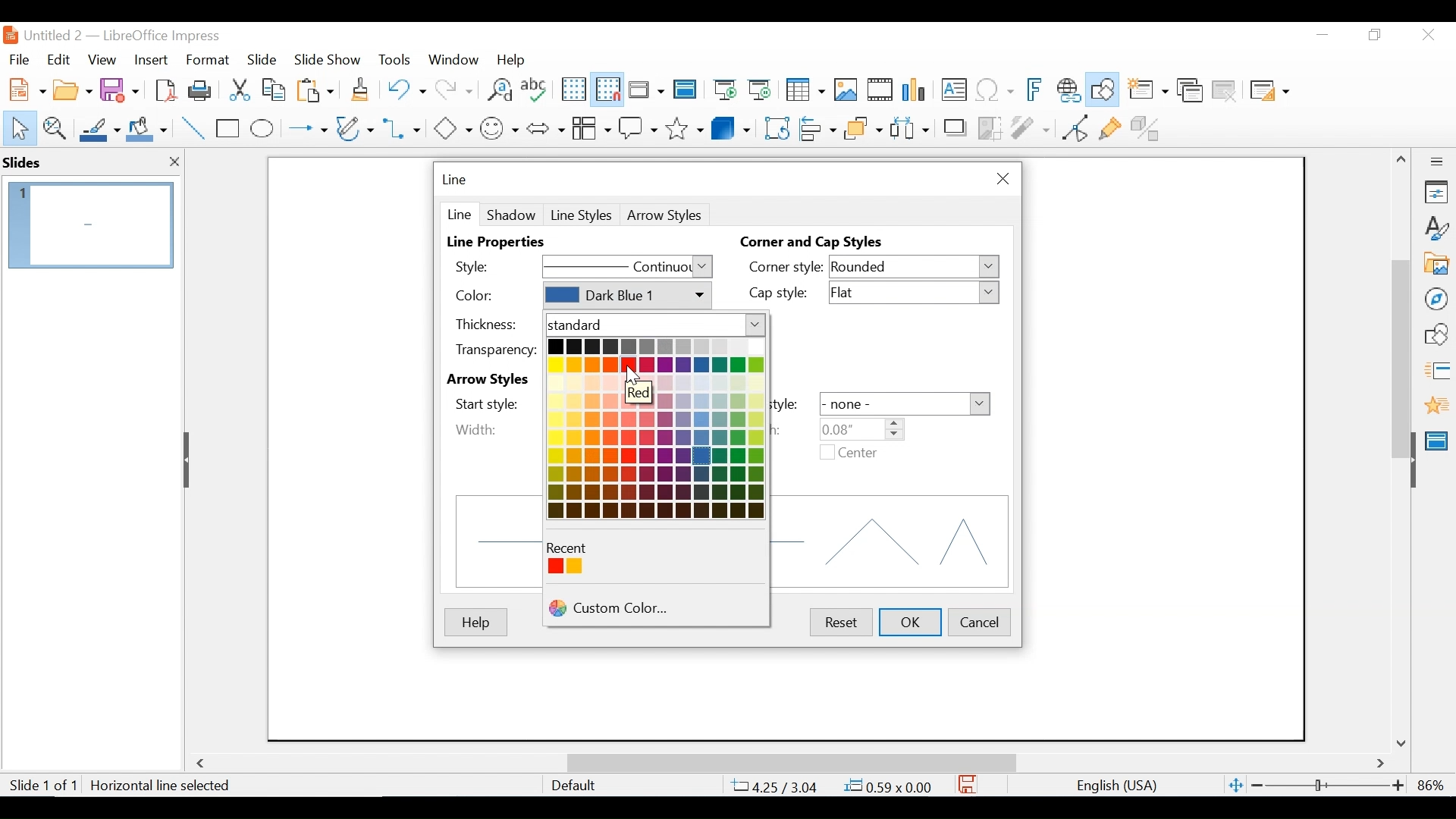 This screenshot has height=819, width=1456. I want to click on Show Gluepoint Functions, so click(1109, 127).